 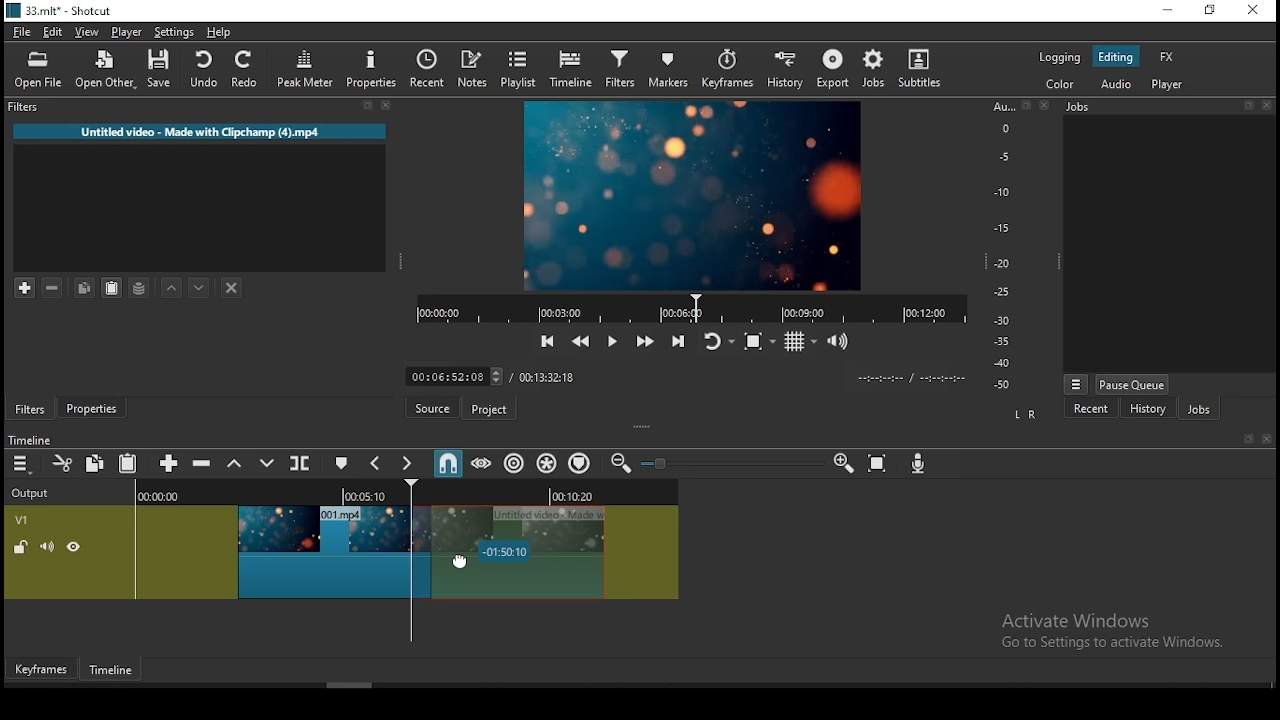 What do you see at coordinates (1118, 84) in the screenshot?
I see `audio` at bounding box center [1118, 84].